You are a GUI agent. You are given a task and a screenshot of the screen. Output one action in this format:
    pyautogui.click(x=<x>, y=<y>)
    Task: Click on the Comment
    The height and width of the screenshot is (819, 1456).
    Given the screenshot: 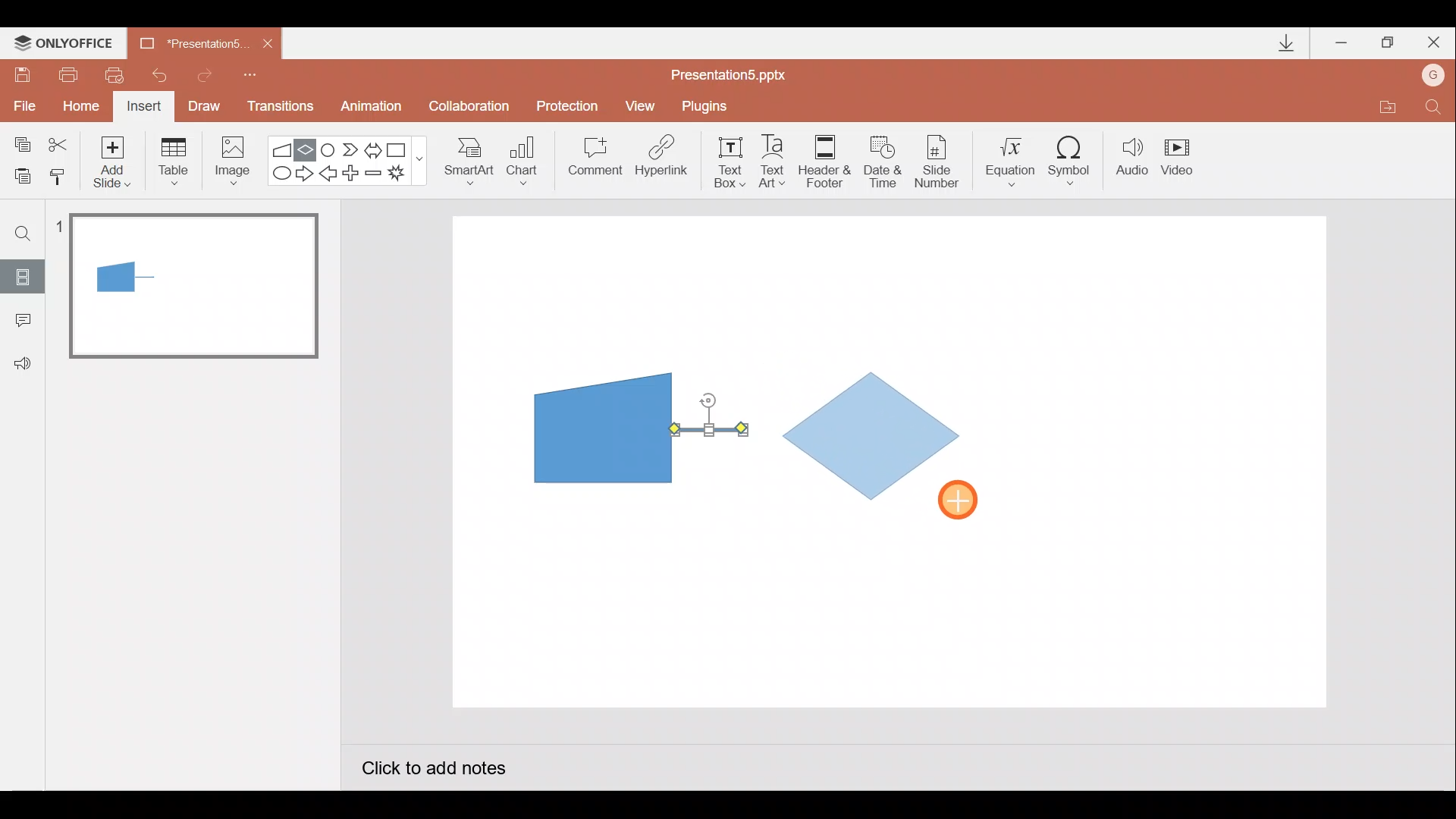 What is the action you would take?
    pyautogui.click(x=593, y=162)
    